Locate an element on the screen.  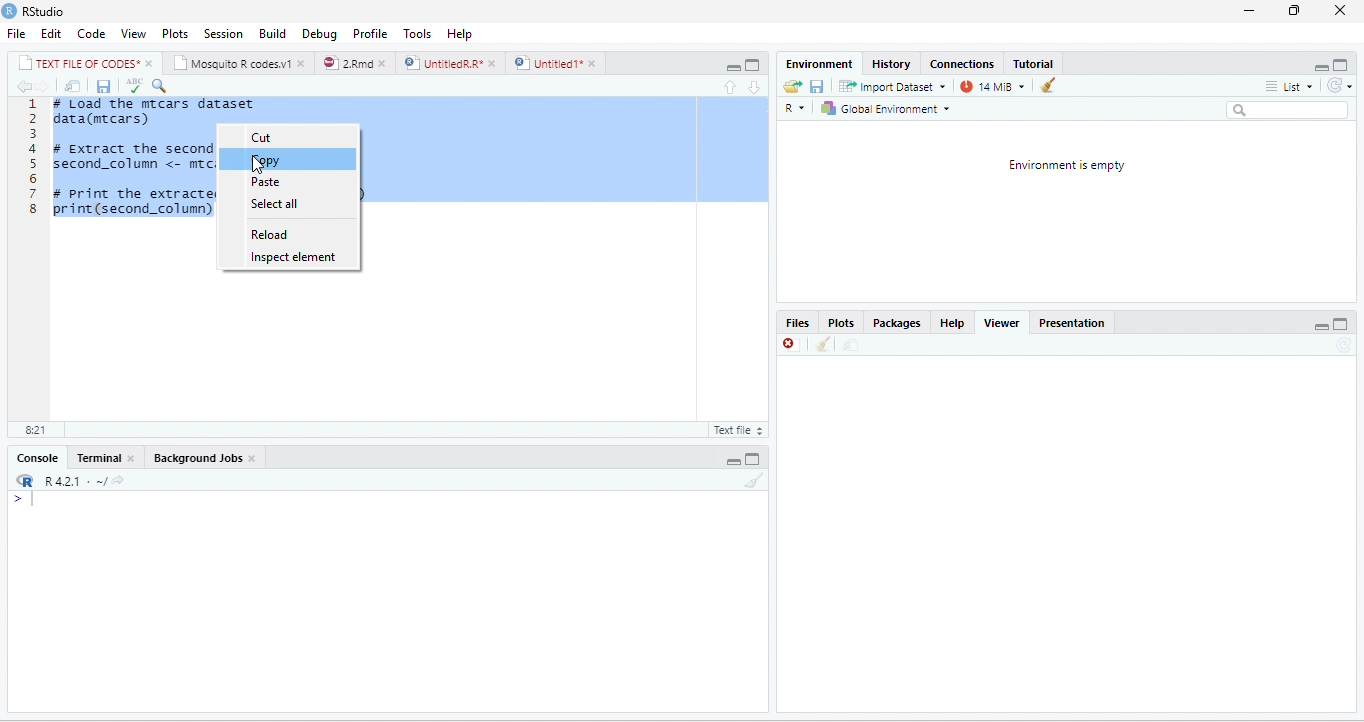
6 is located at coordinates (33, 178).